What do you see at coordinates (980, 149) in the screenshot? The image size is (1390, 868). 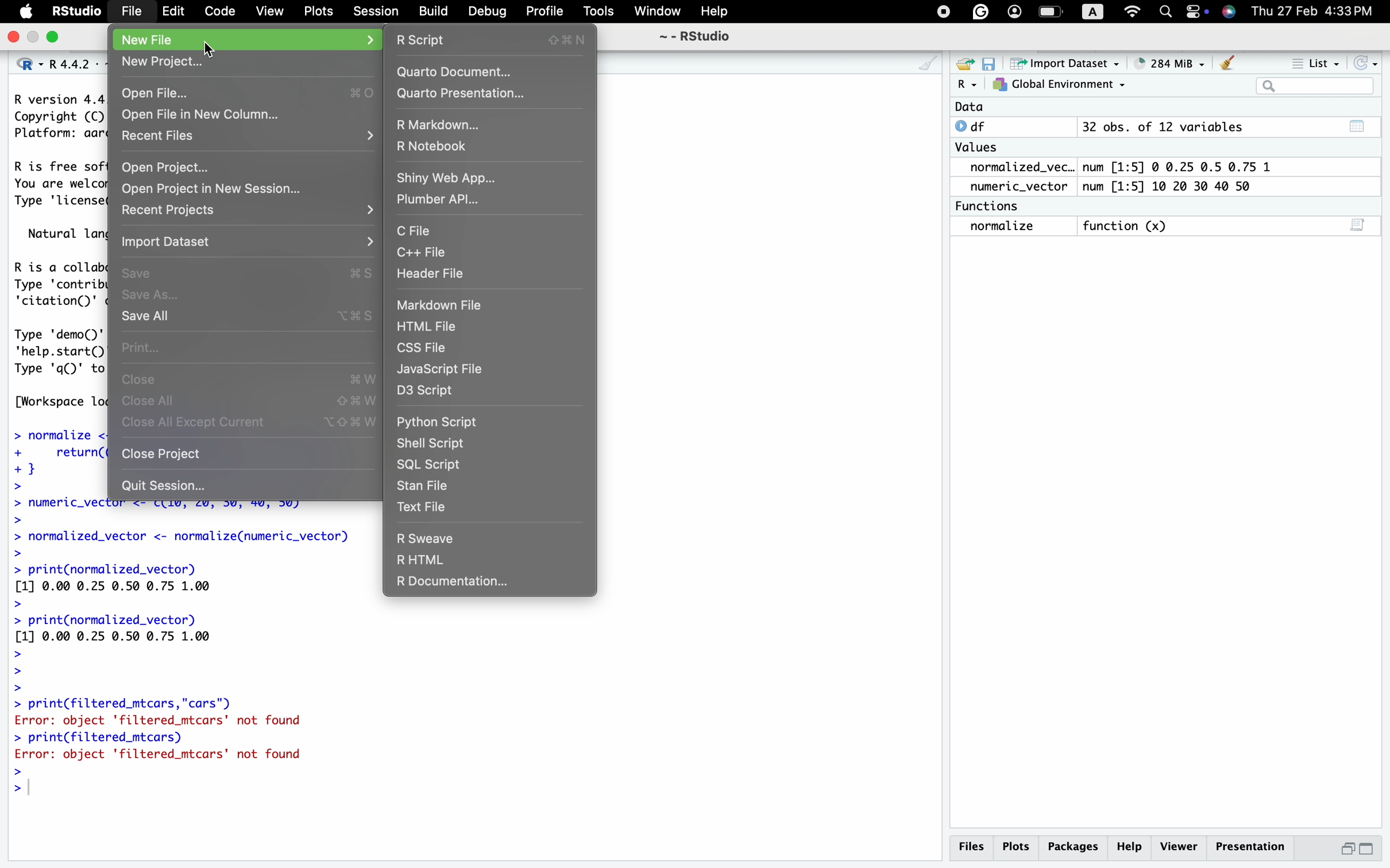 I see `Values` at bounding box center [980, 149].